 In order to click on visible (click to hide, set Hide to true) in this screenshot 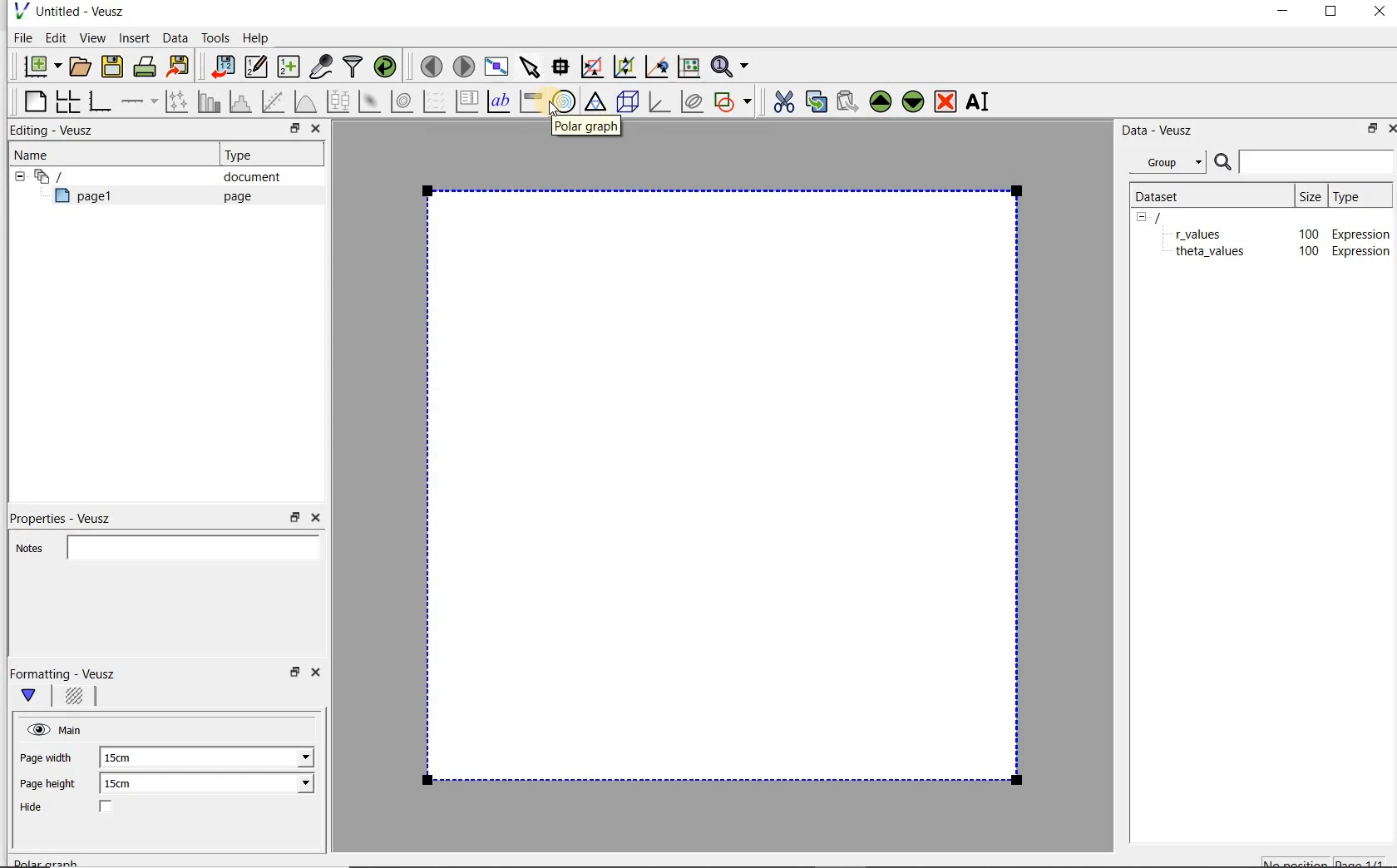, I will do `click(36, 729)`.